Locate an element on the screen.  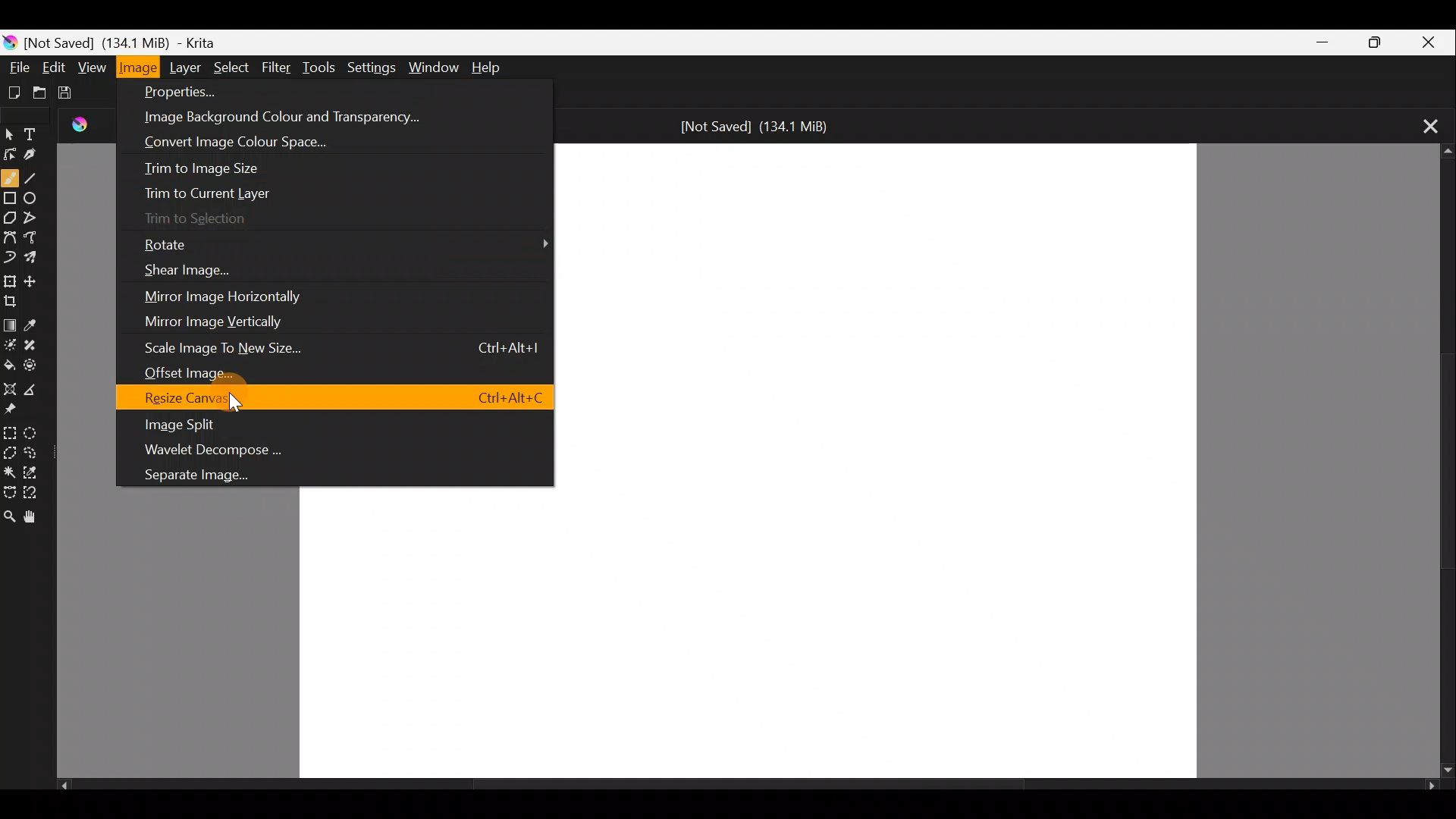
Separate image is located at coordinates (237, 474).